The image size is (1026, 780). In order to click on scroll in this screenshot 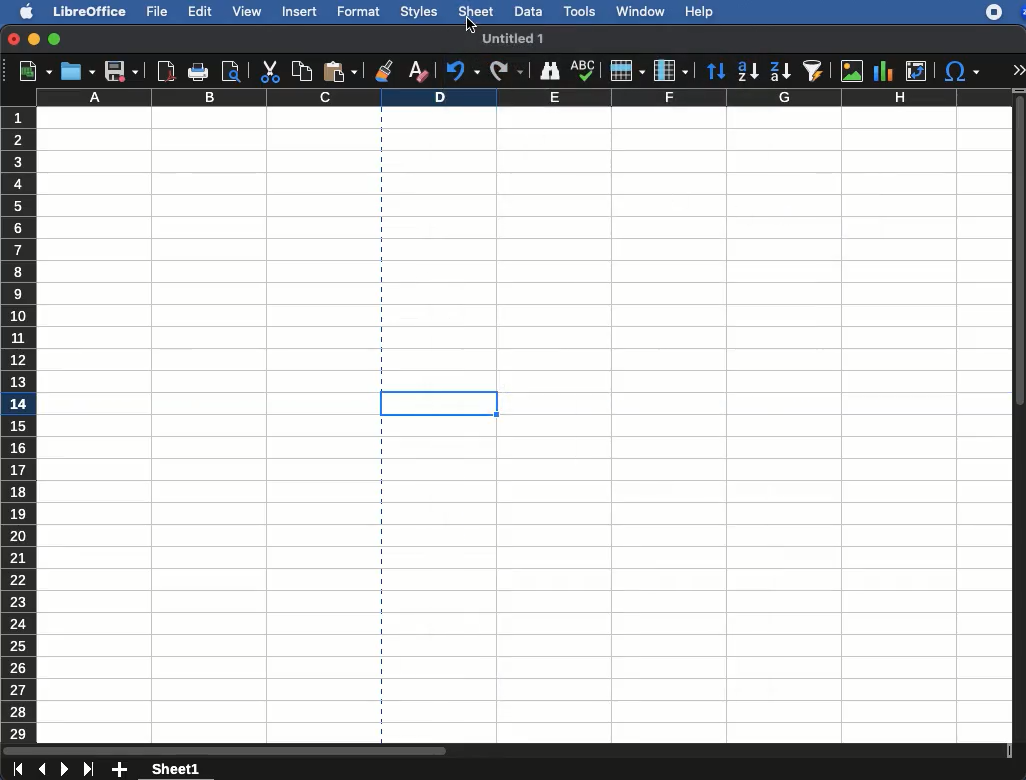, I will do `click(1020, 418)`.